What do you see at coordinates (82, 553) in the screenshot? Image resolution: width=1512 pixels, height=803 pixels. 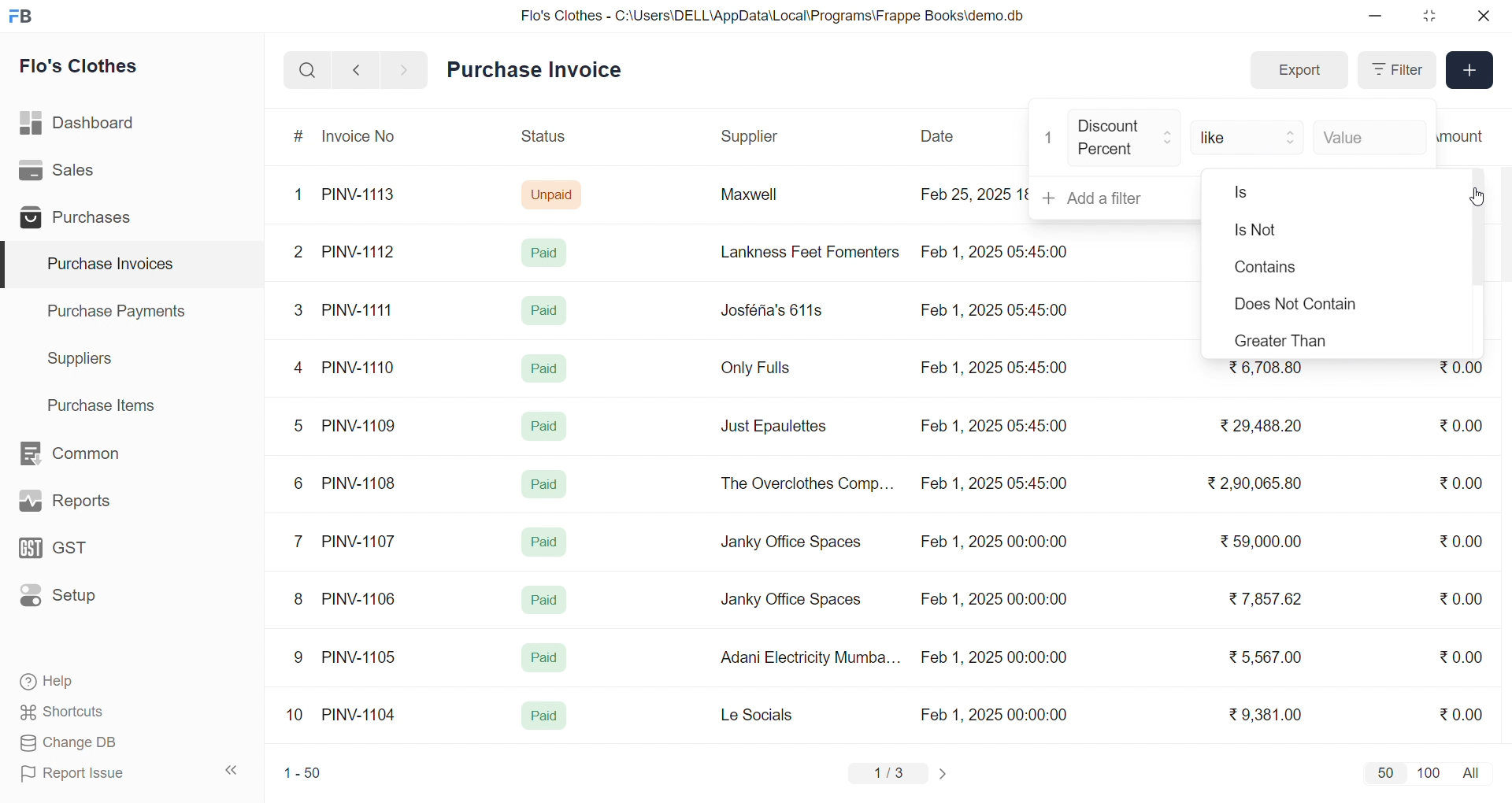 I see `GST` at bounding box center [82, 553].